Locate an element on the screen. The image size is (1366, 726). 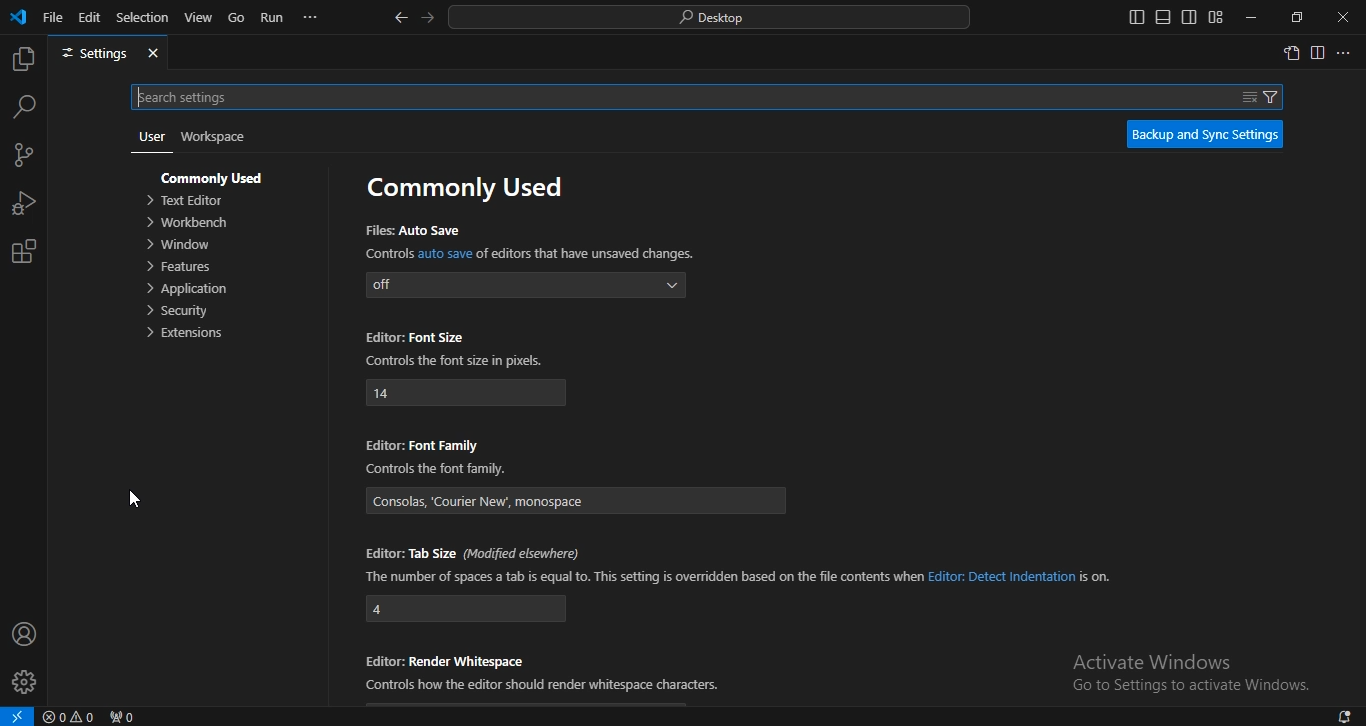
backup and sync settings is located at coordinates (1206, 135).